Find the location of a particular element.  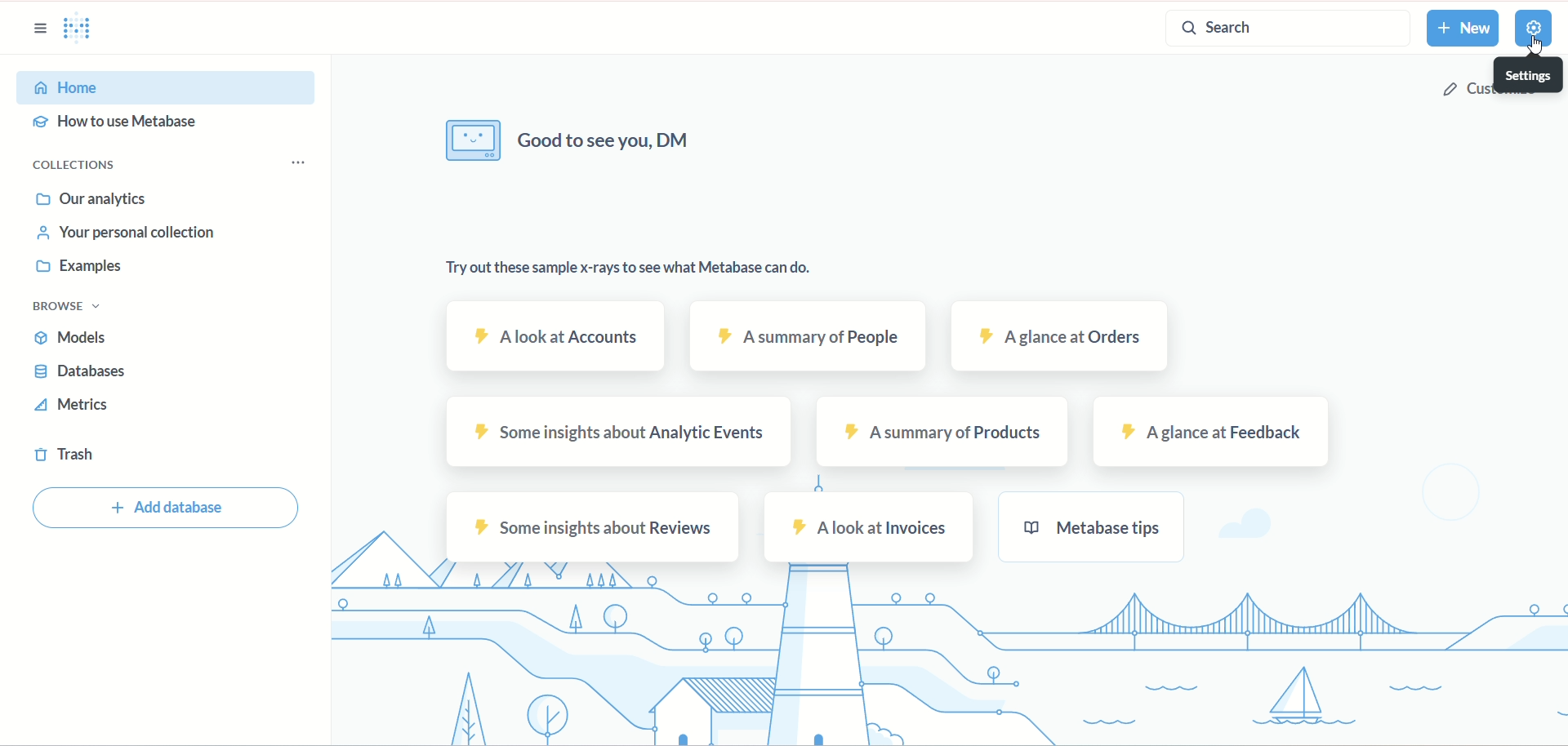

a summary of products is located at coordinates (944, 432).